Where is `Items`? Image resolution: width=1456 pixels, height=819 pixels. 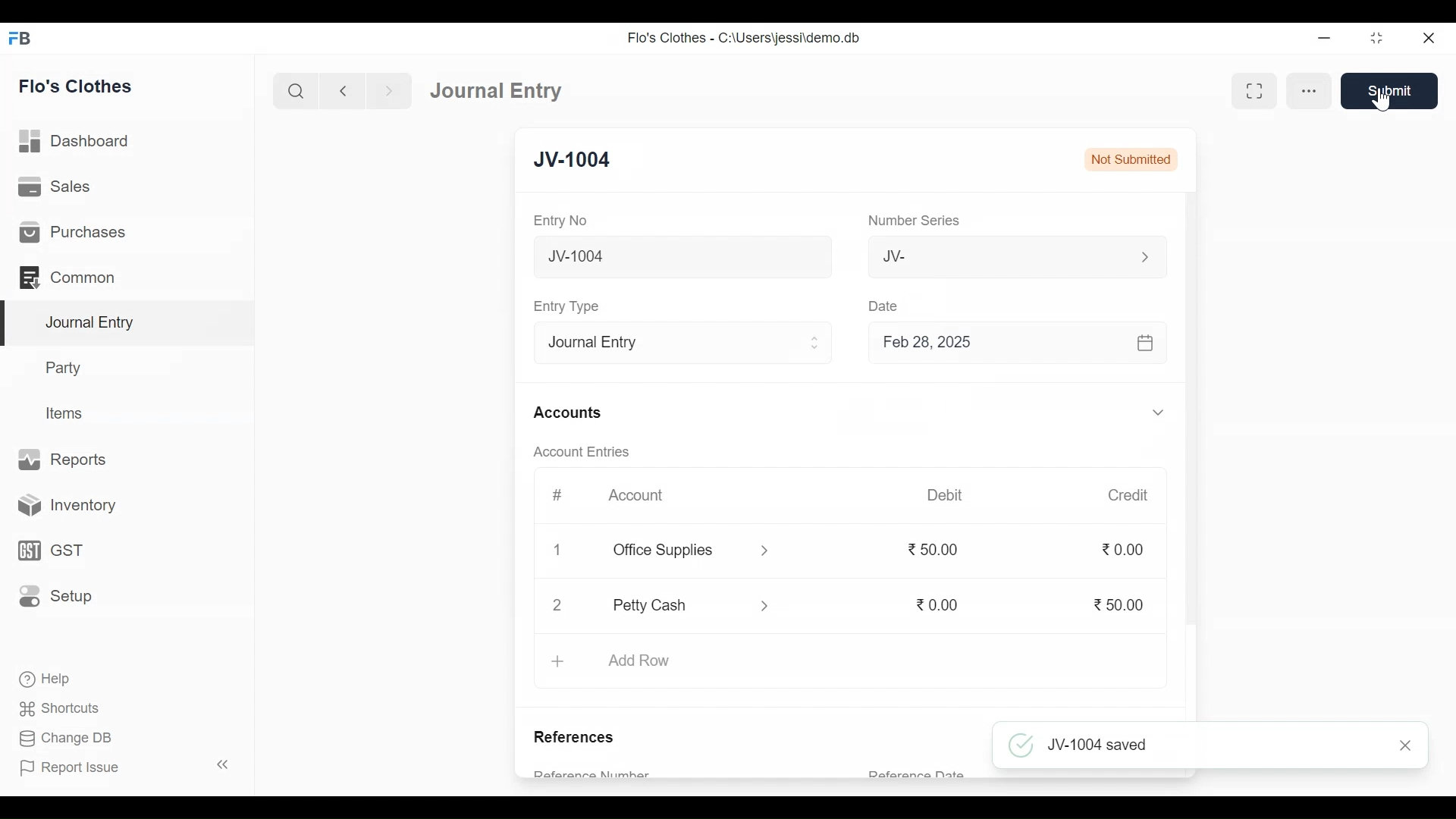
Items is located at coordinates (67, 413).